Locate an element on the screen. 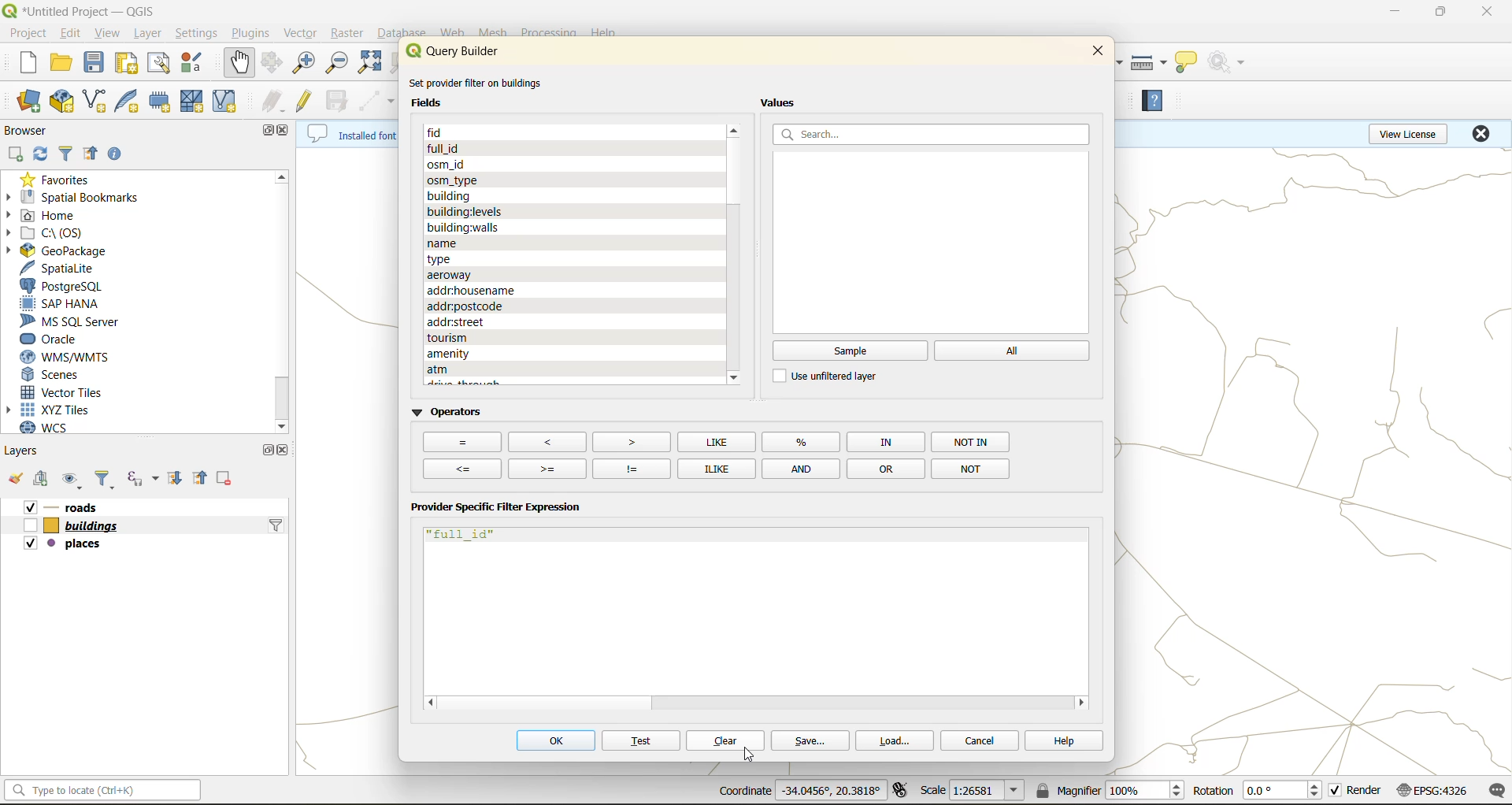  layer query is located at coordinates (274, 529).